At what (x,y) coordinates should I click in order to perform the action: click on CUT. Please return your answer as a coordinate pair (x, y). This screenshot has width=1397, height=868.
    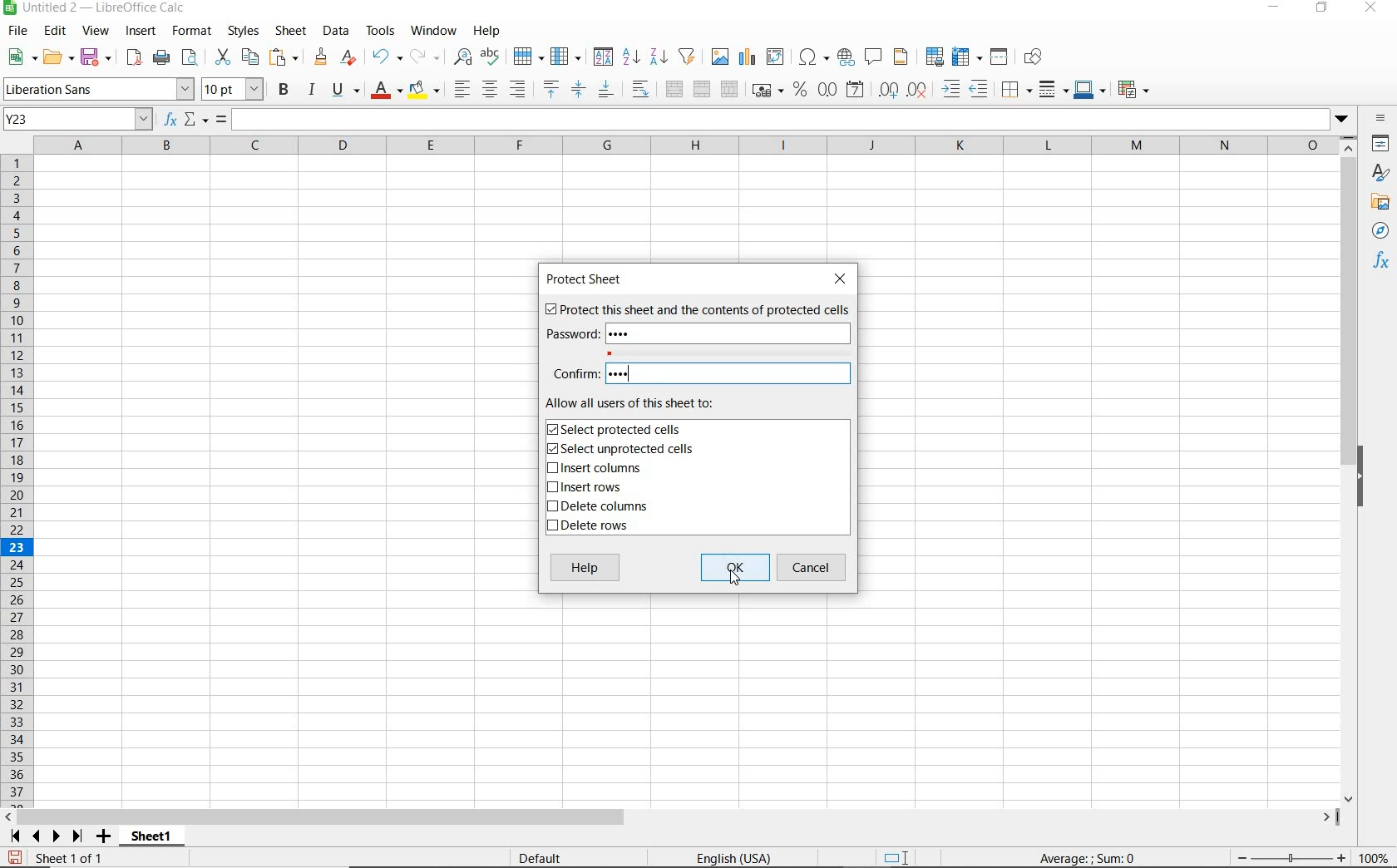
    Looking at the image, I should click on (221, 56).